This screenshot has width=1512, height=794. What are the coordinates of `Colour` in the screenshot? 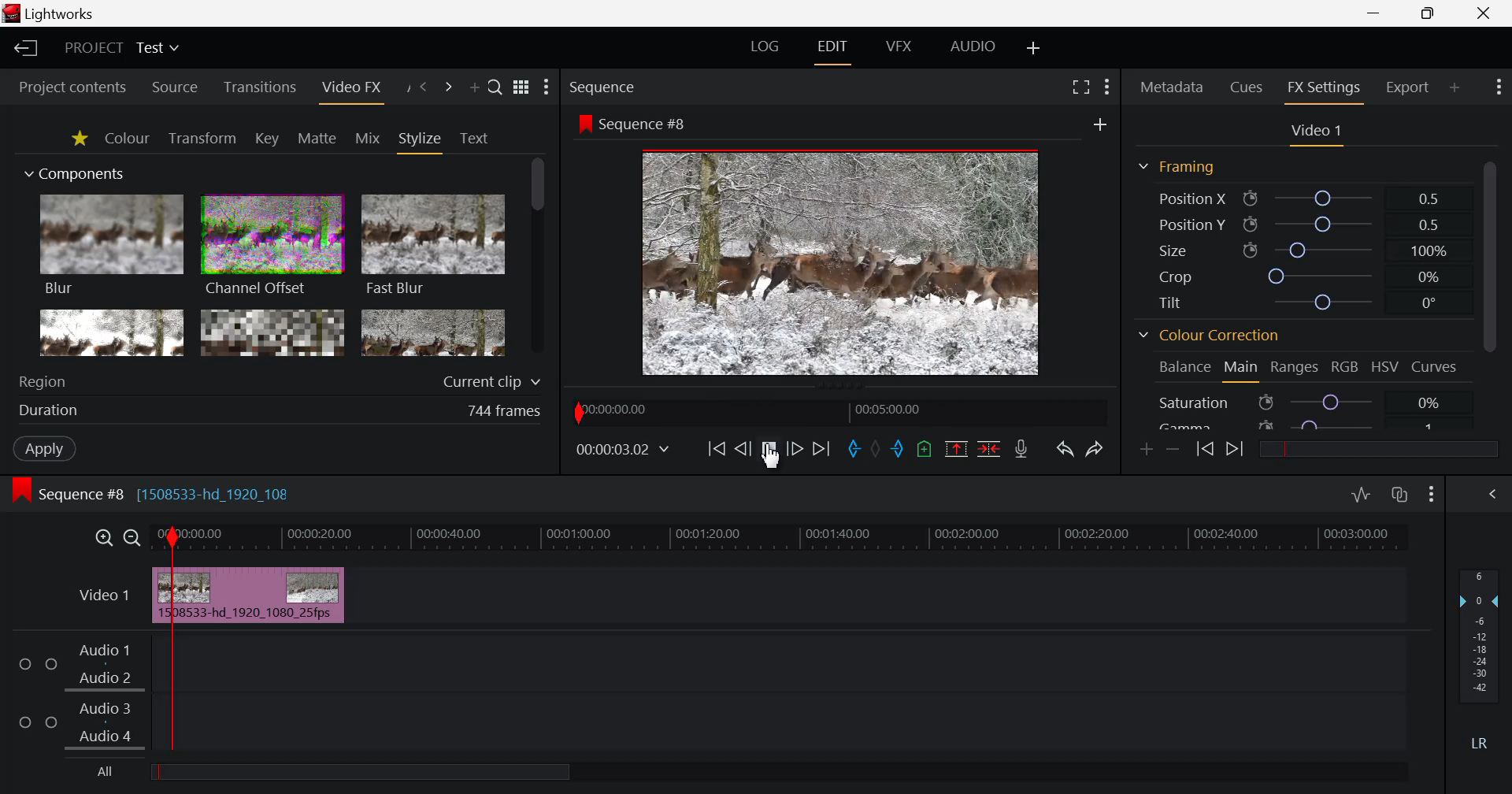 It's located at (128, 138).